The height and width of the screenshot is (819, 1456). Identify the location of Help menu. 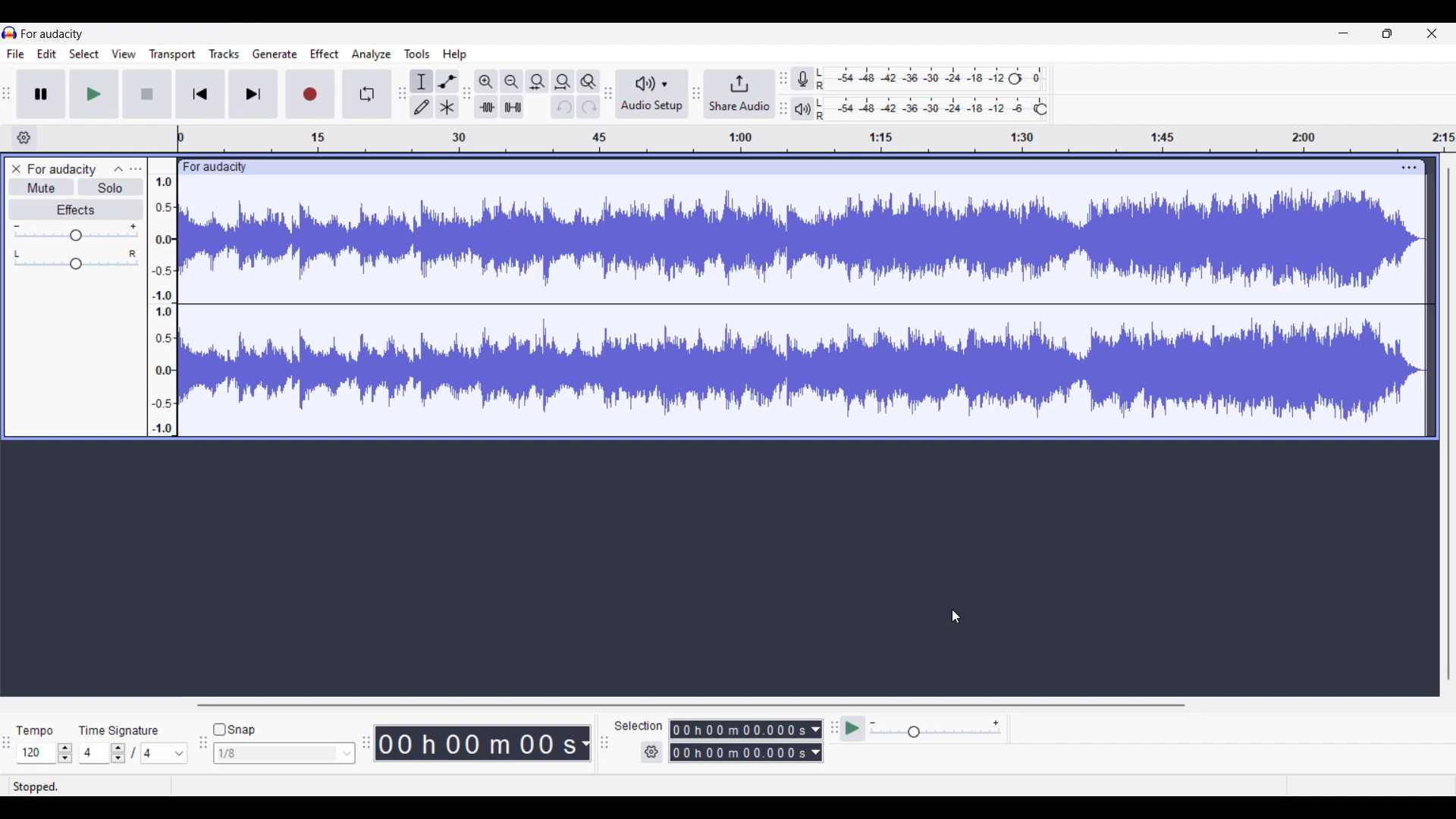
(454, 55).